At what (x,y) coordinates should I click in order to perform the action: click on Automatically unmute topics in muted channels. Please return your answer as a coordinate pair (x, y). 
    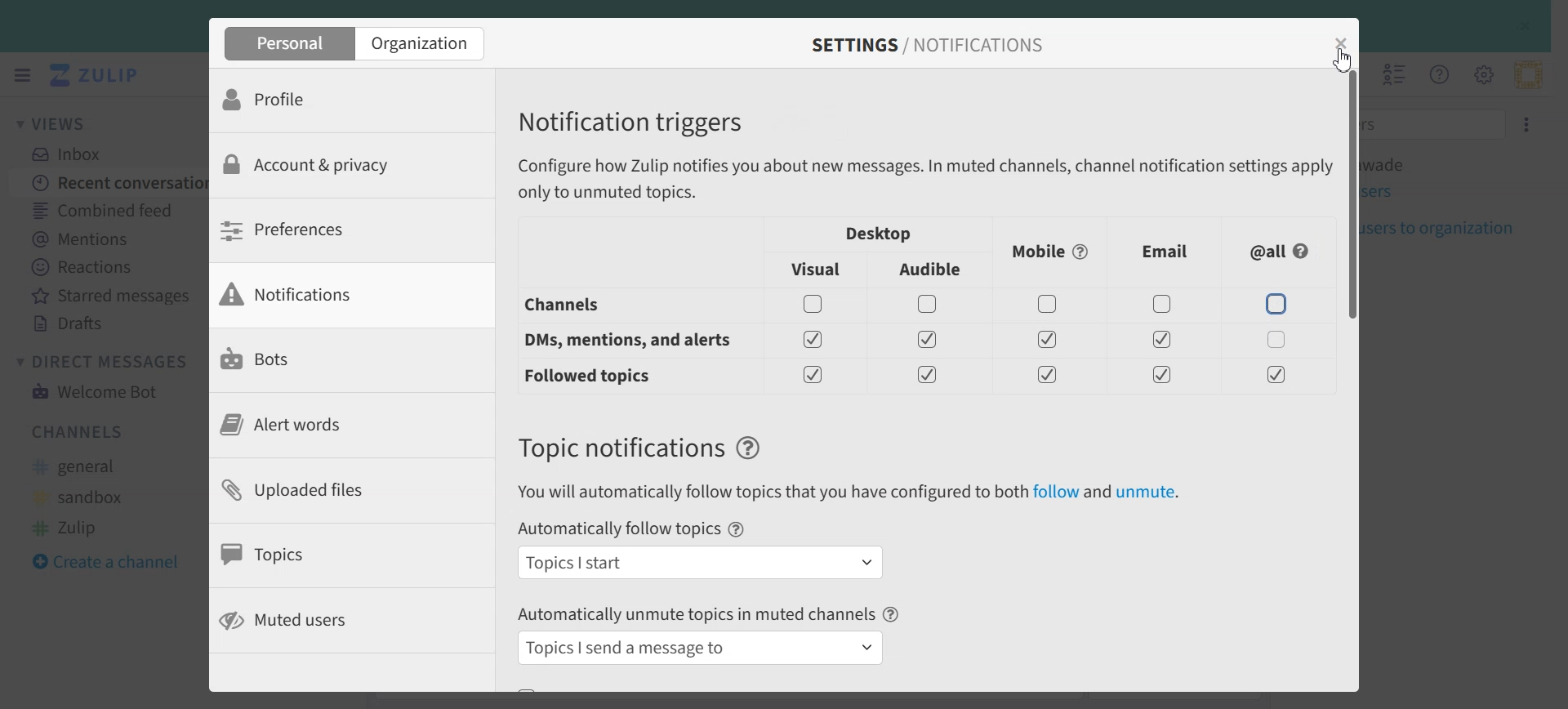
    Looking at the image, I should click on (696, 613).